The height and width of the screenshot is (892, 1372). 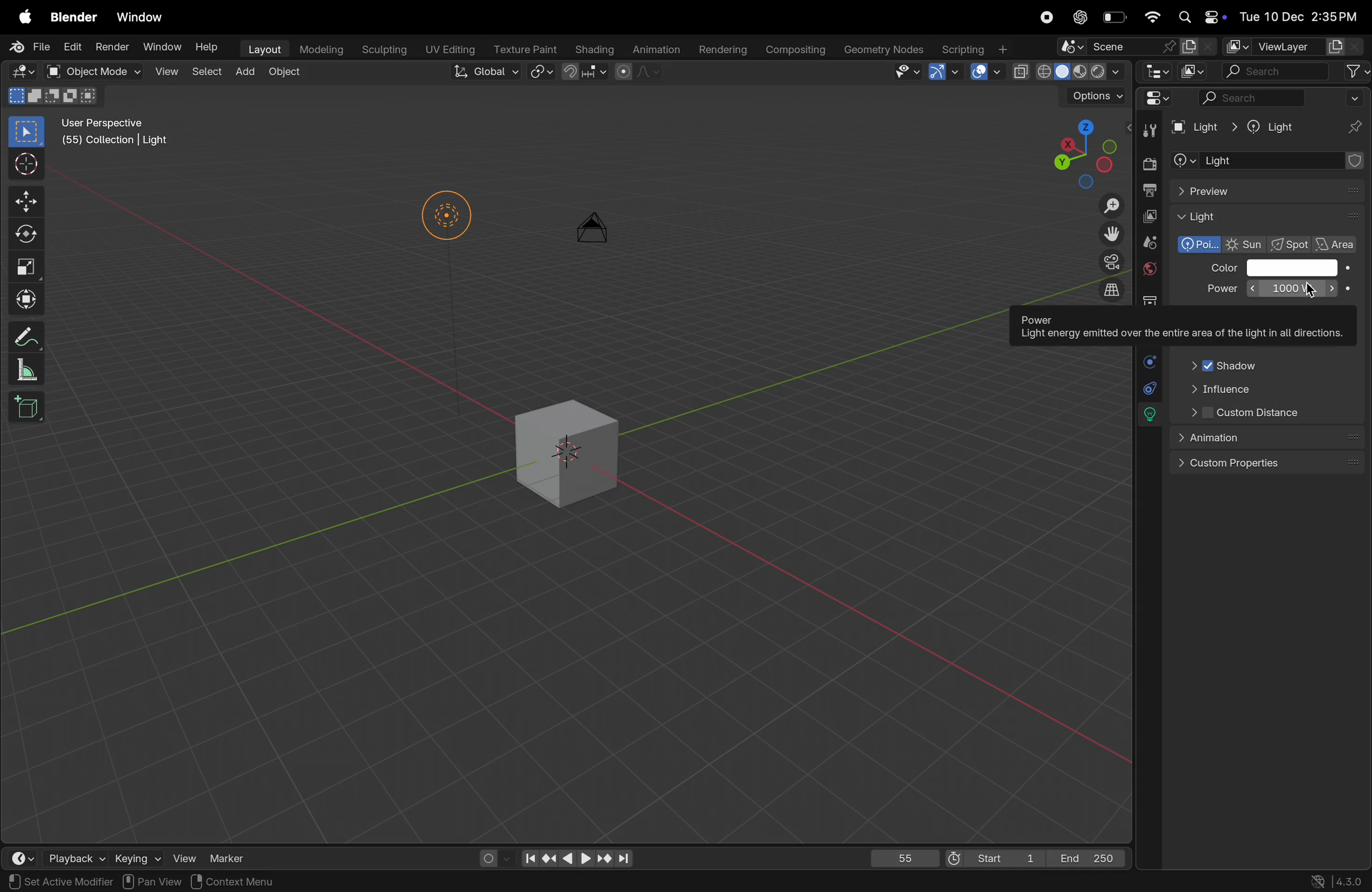 I want to click on move, so click(x=25, y=202).